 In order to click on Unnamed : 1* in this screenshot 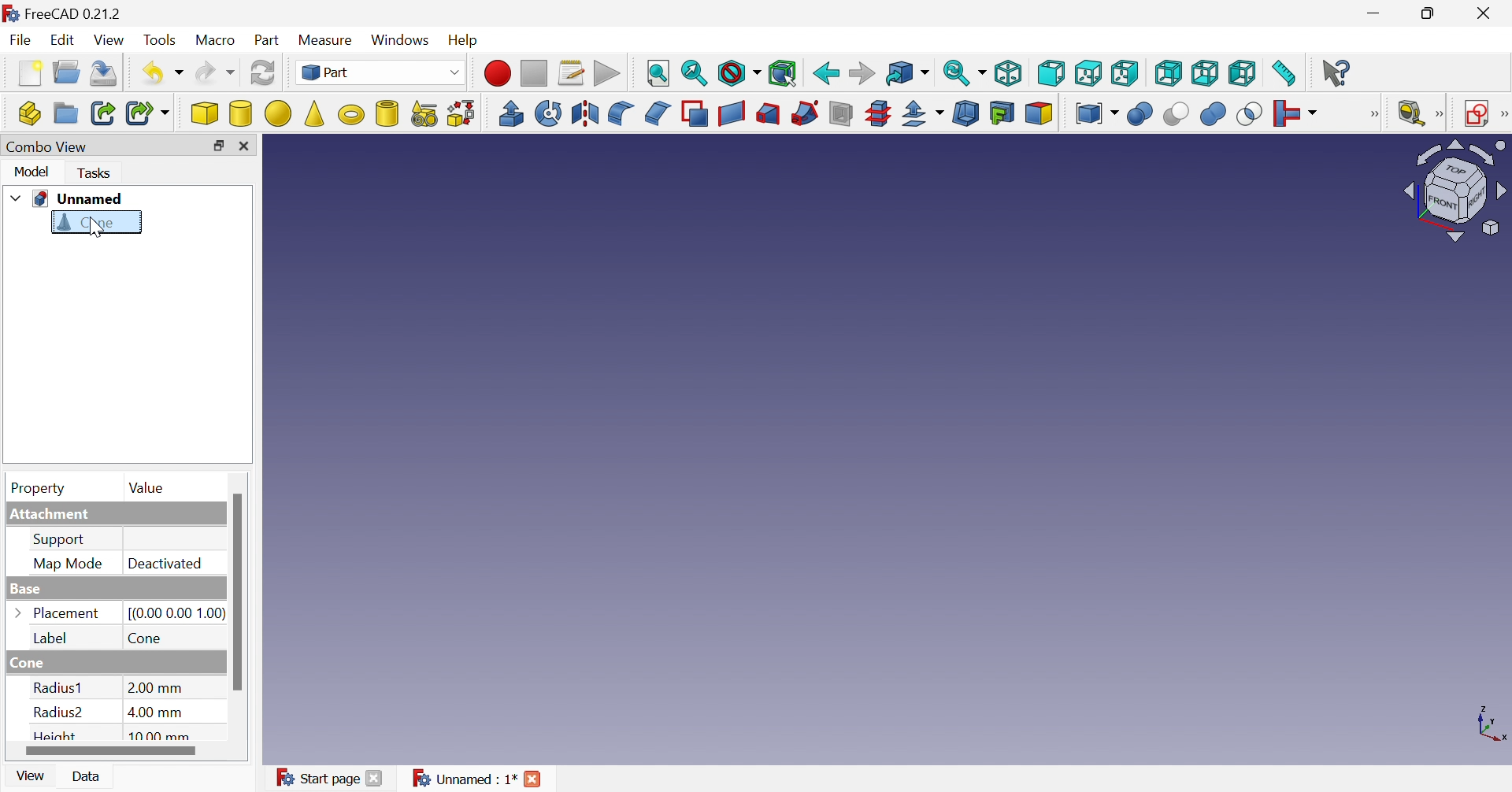, I will do `click(465, 779)`.